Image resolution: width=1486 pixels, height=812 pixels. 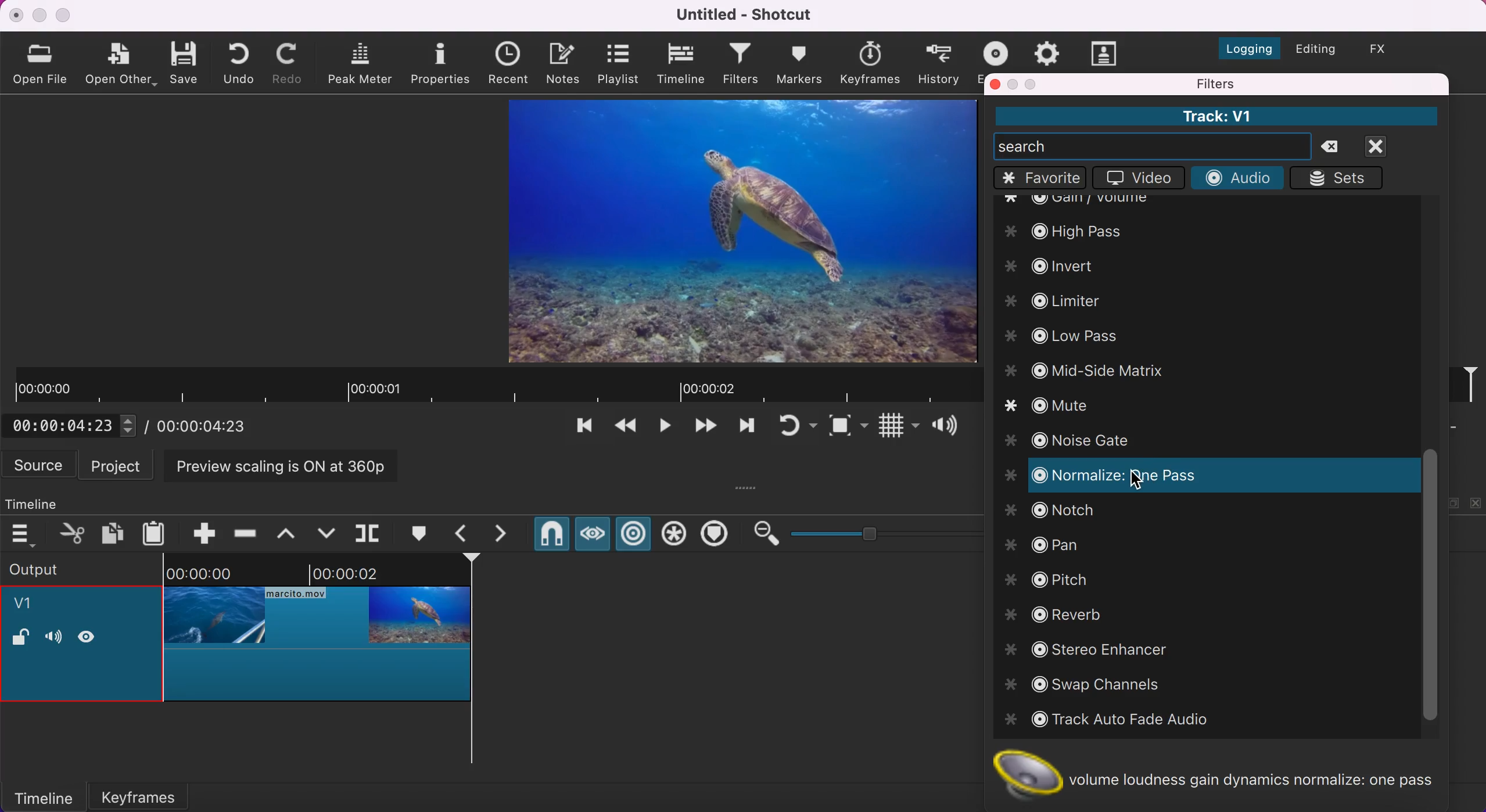 I want to click on playlist, so click(x=618, y=63).